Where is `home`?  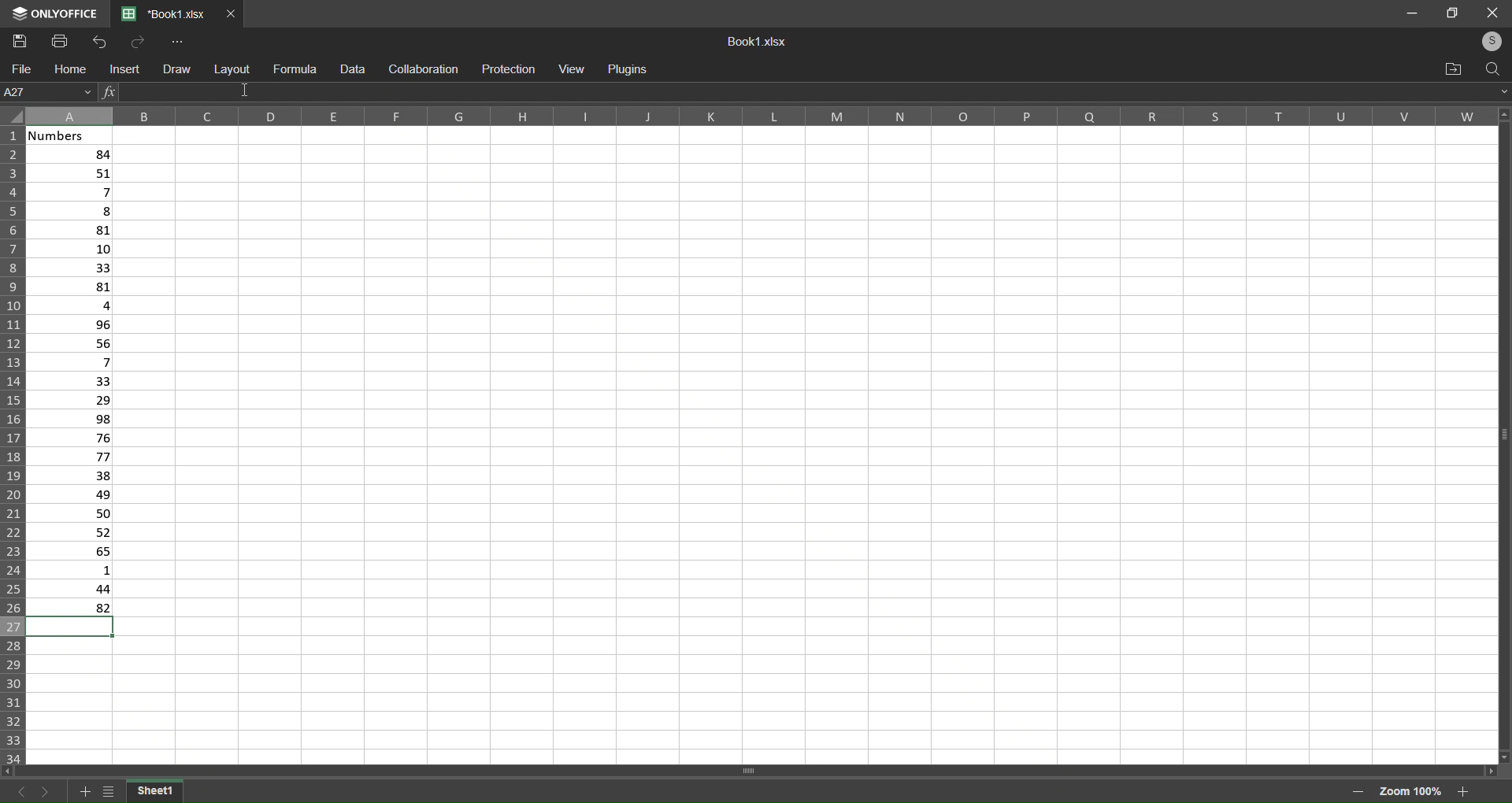
home is located at coordinates (69, 68).